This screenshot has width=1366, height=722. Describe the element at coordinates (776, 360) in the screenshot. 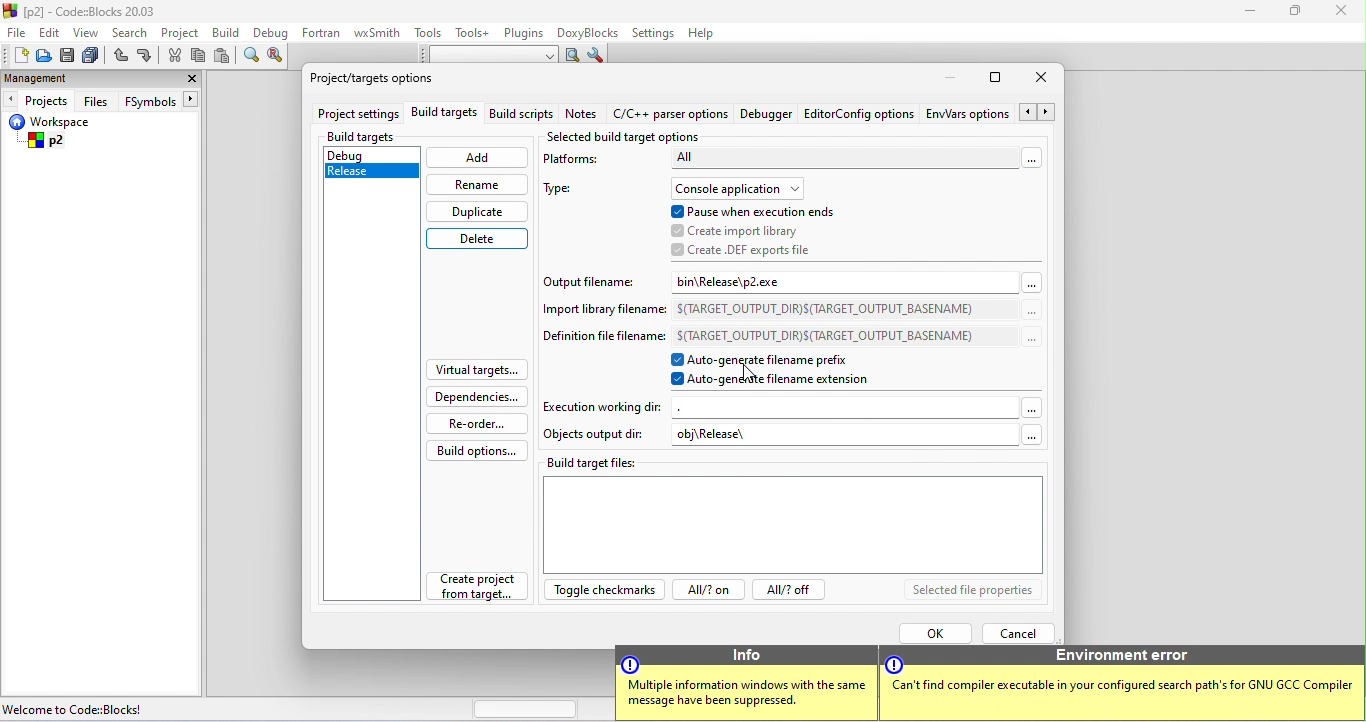

I see `auto generate filename prefex` at that location.